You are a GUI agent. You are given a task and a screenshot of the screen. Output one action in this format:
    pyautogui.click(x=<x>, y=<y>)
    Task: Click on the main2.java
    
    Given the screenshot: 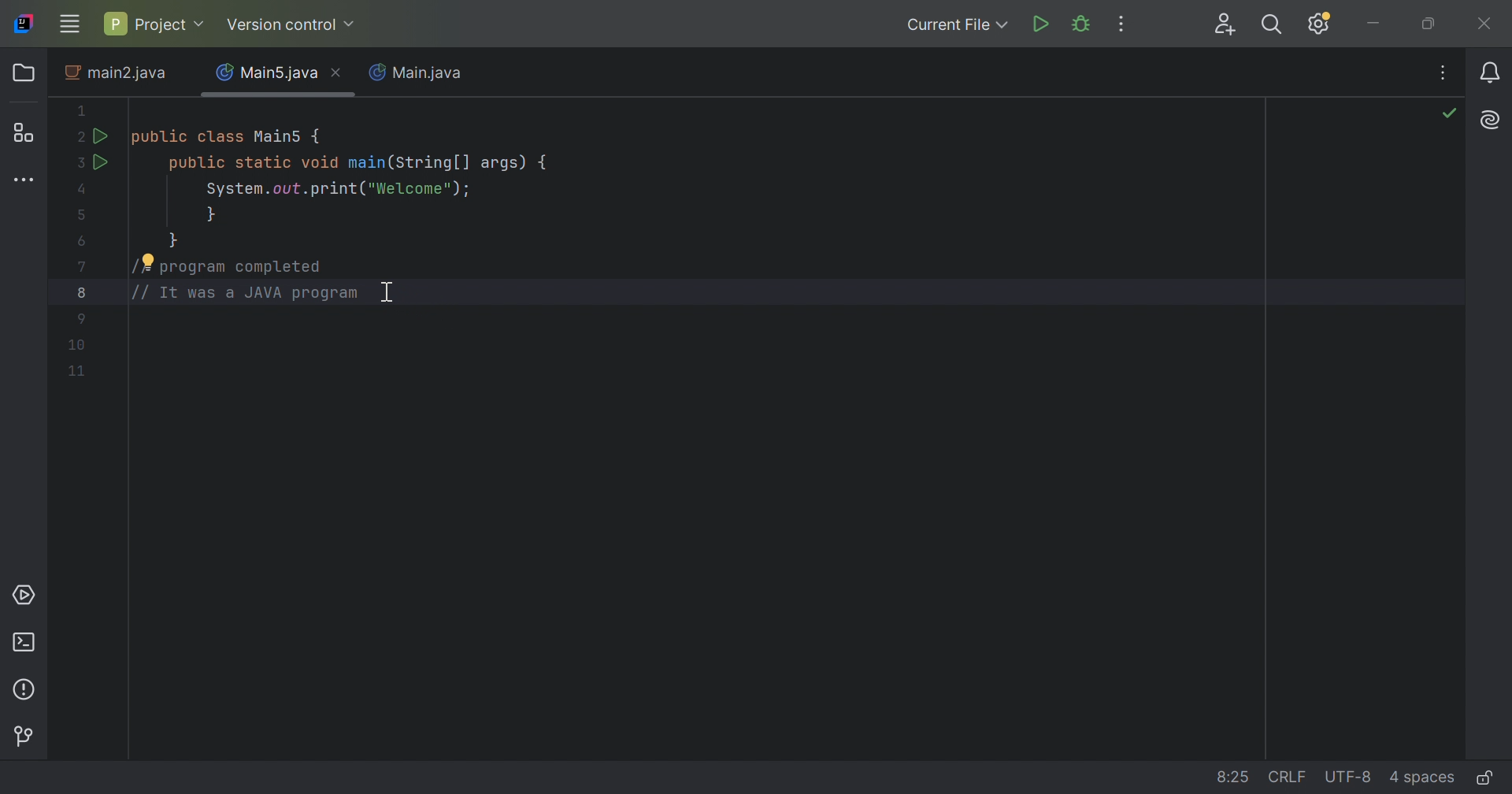 What is the action you would take?
    pyautogui.click(x=117, y=76)
    